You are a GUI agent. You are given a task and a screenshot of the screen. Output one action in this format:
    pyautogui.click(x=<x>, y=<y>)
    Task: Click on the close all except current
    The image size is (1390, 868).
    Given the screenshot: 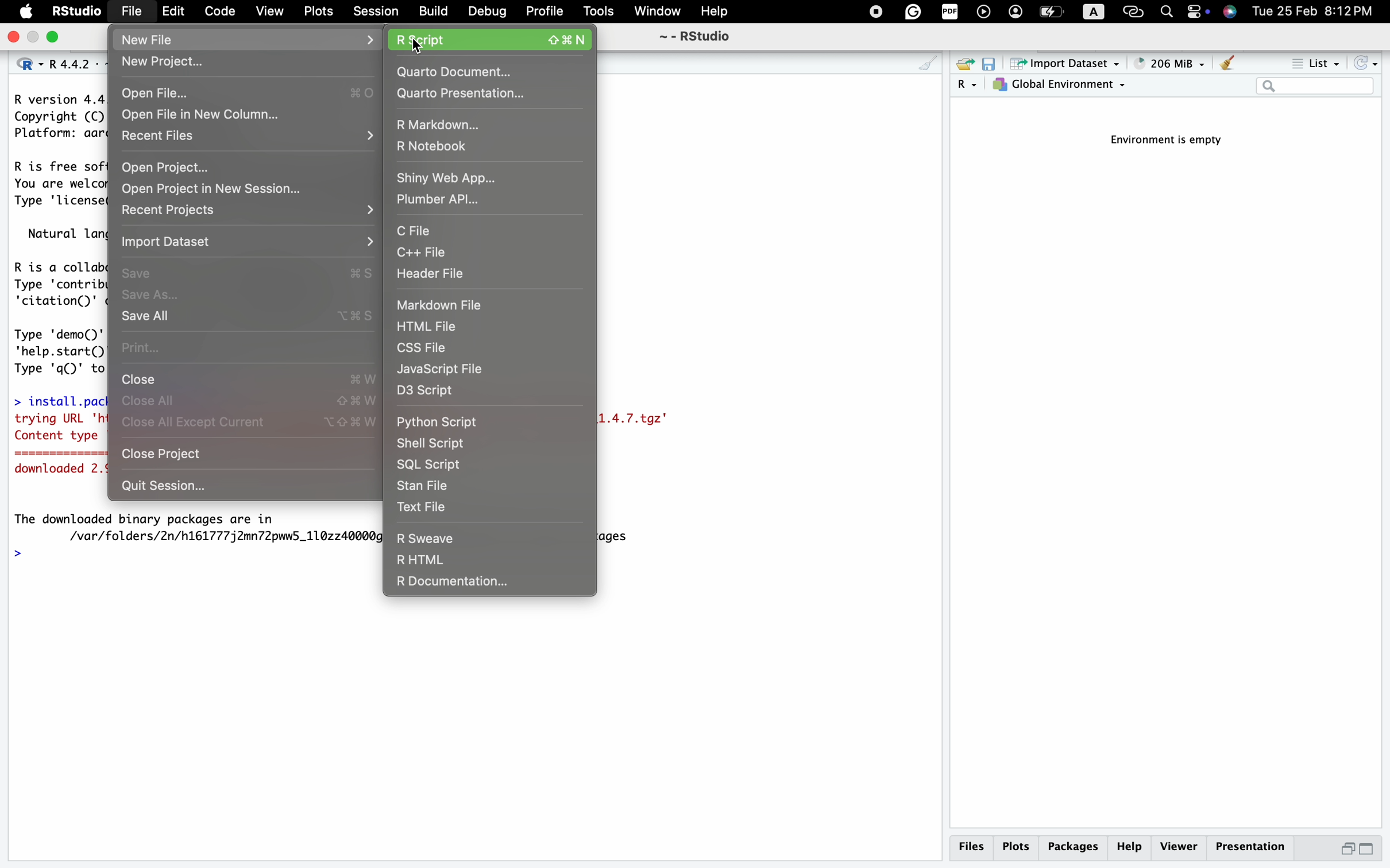 What is the action you would take?
    pyautogui.click(x=248, y=426)
    